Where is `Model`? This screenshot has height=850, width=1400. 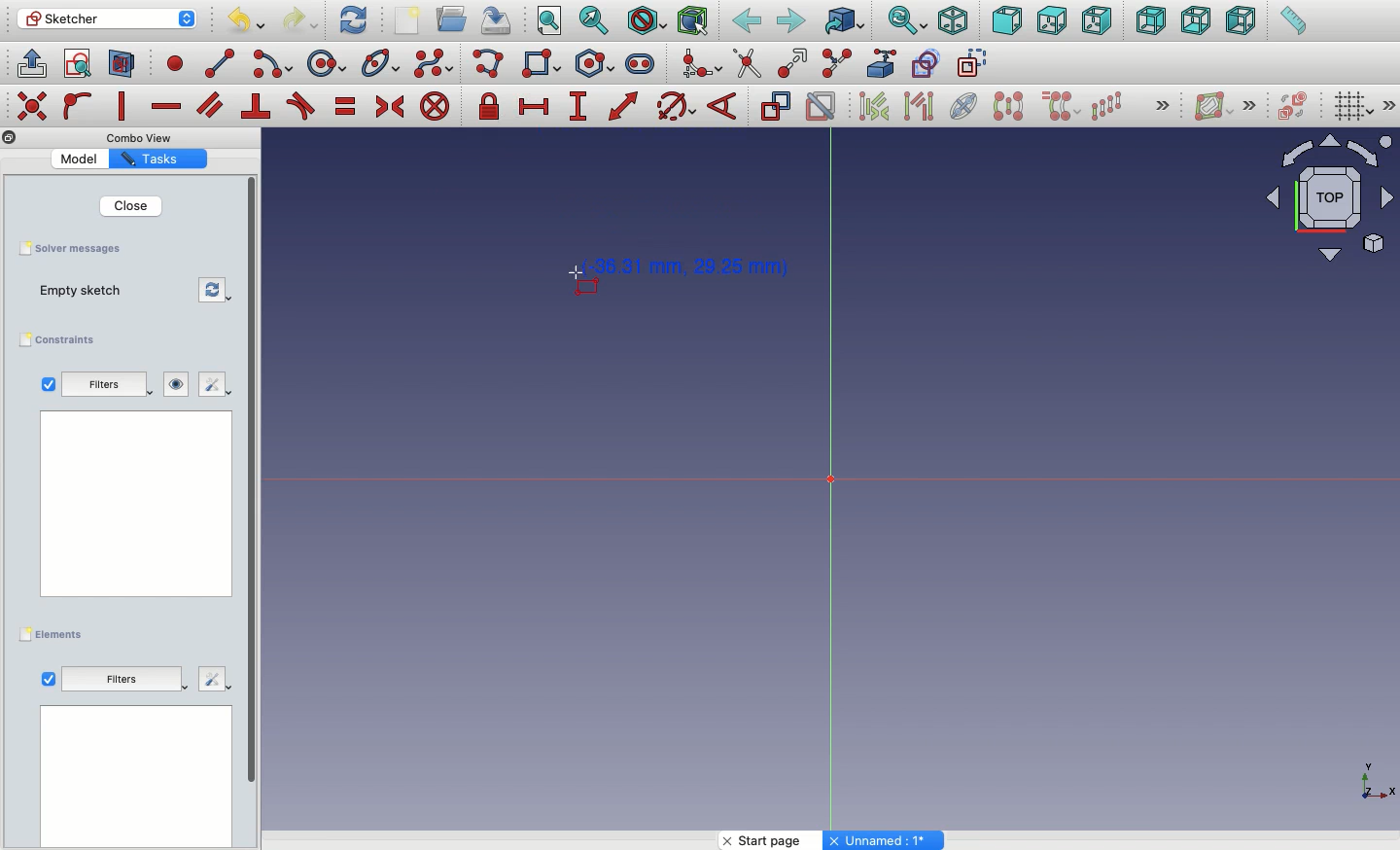
Model is located at coordinates (83, 159).